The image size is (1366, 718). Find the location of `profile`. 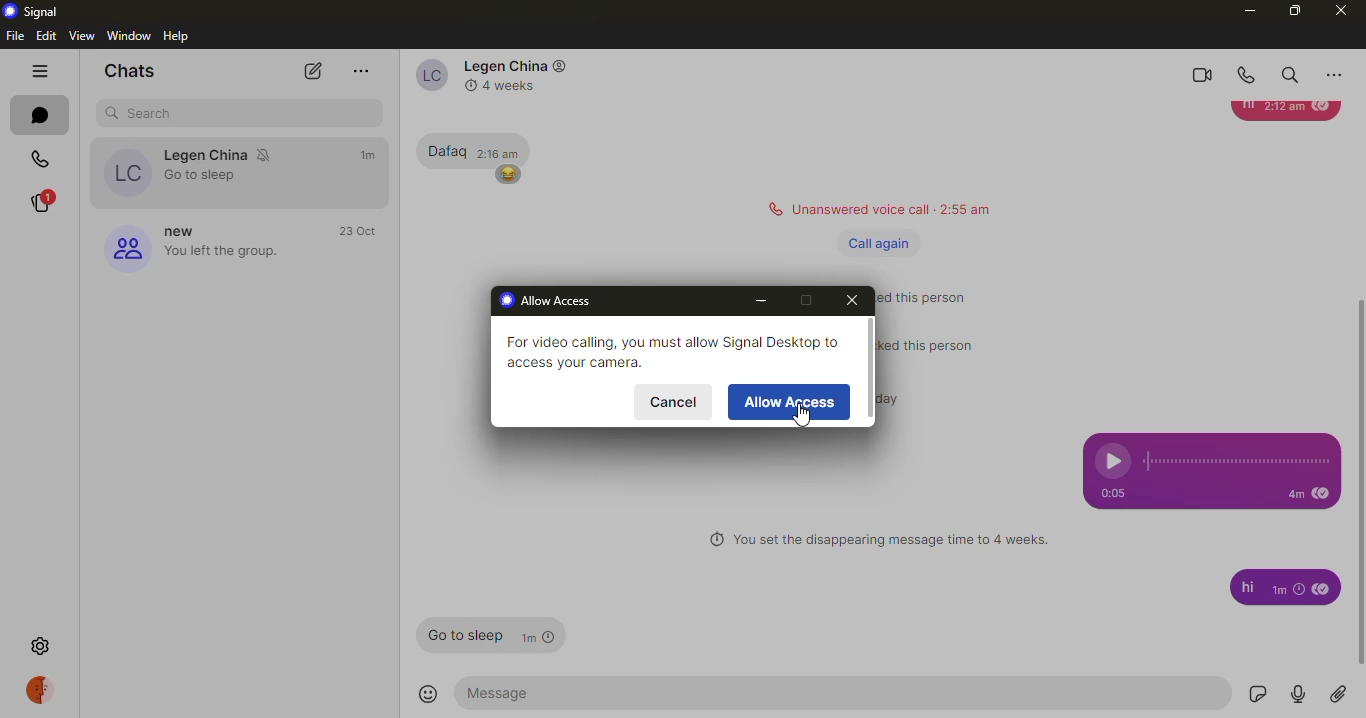

profile is located at coordinates (122, 246).